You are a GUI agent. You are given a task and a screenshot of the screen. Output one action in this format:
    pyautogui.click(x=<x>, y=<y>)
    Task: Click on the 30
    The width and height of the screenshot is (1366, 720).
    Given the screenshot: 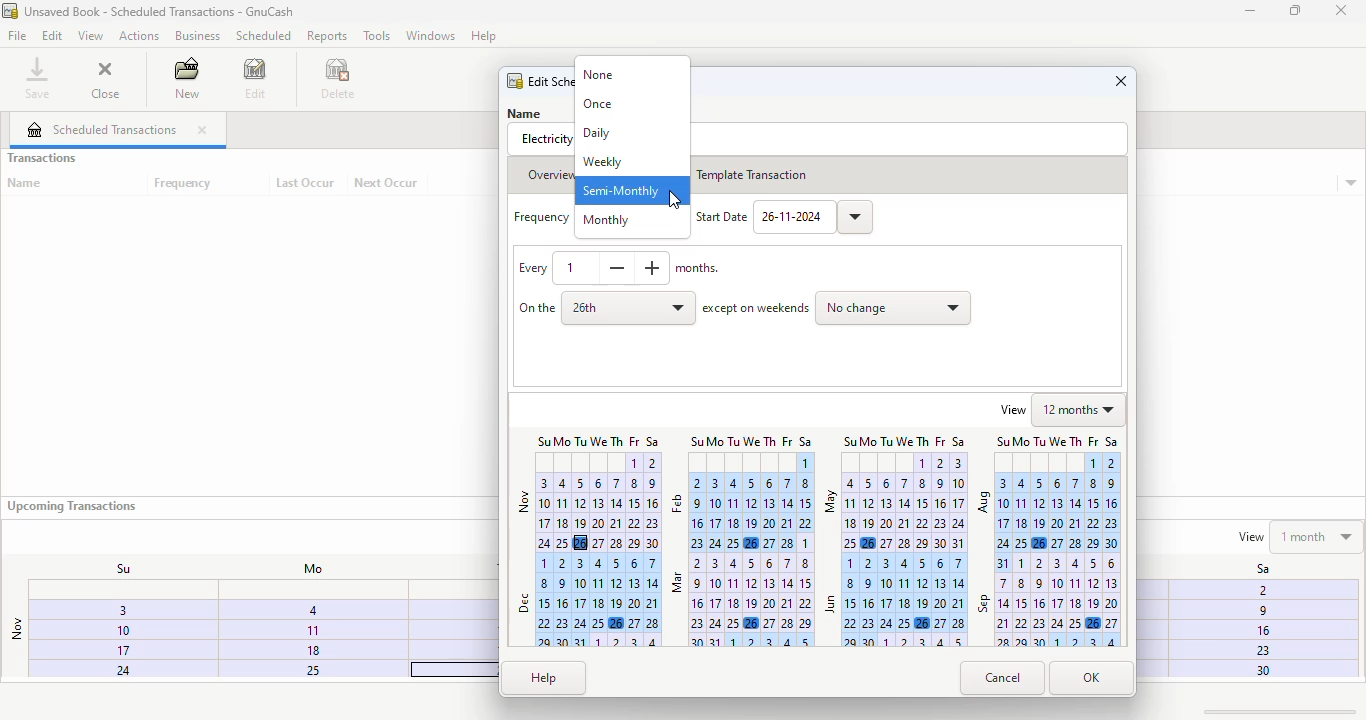 What is the action you would take?
    pyautogui.click(x=1260, y=671)
    